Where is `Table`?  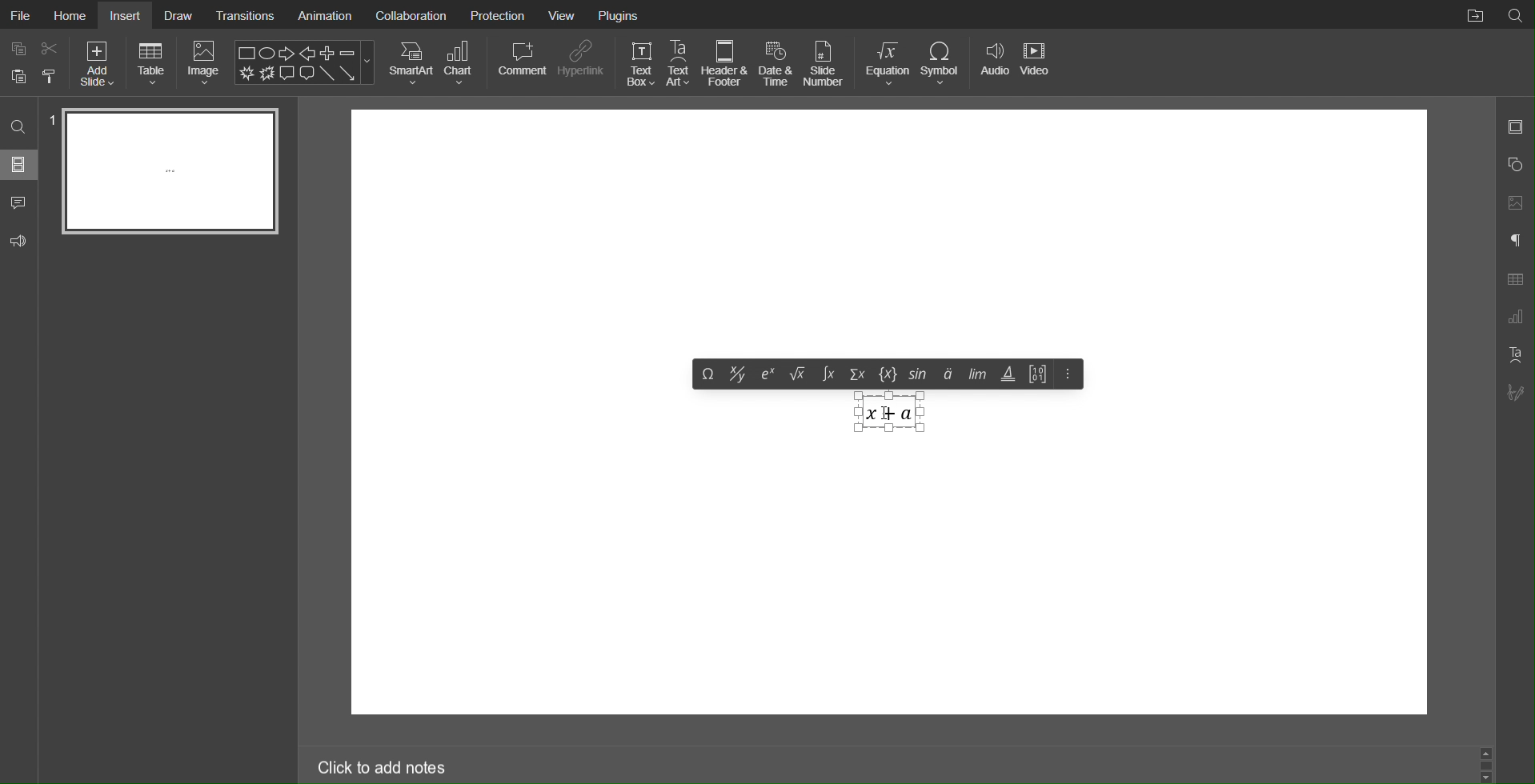 Table is located at coordinates (1515, 279).